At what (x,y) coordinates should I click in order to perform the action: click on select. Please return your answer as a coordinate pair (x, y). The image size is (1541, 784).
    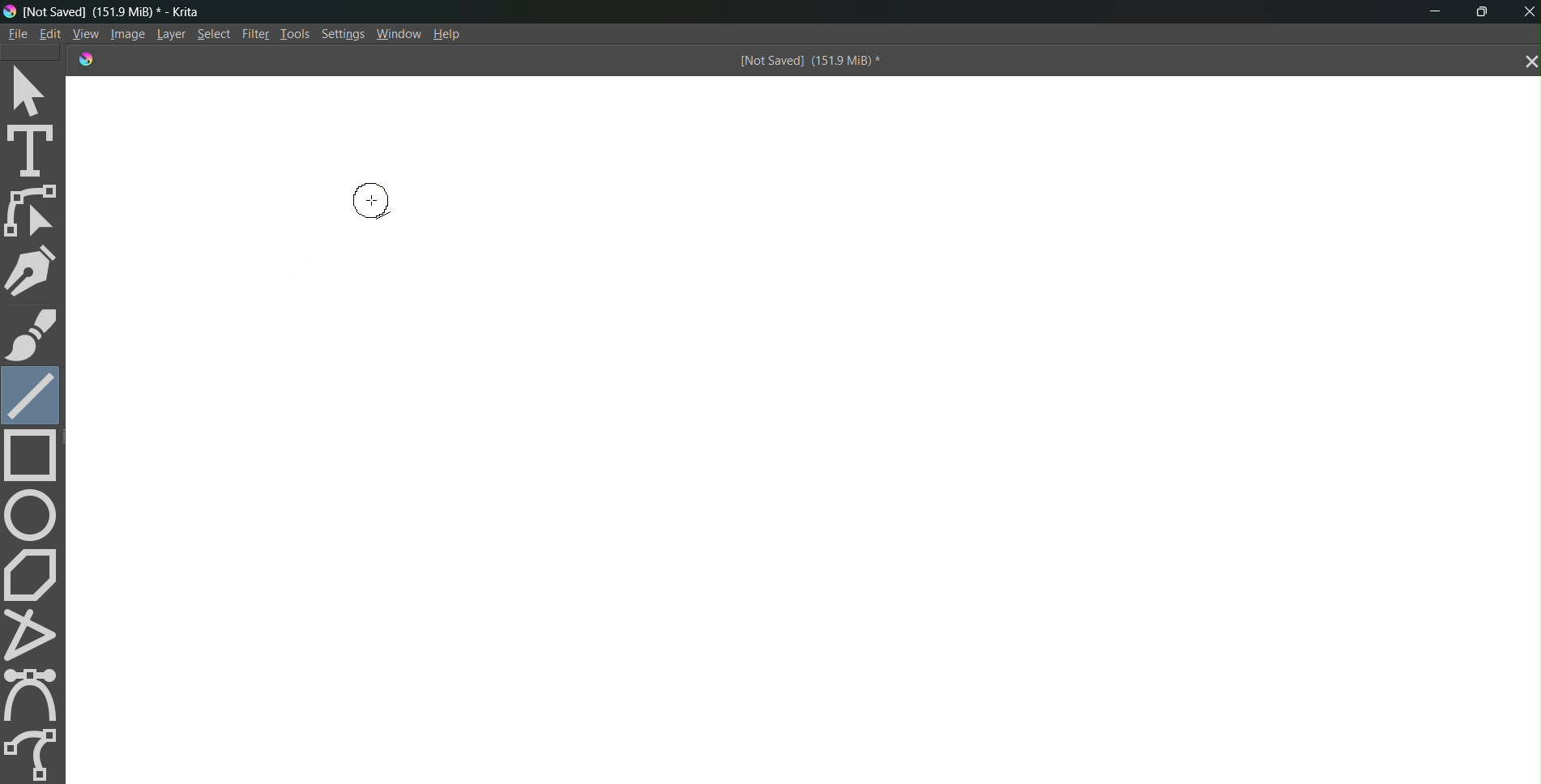
    Looking at the image, I should click on (35, 89).